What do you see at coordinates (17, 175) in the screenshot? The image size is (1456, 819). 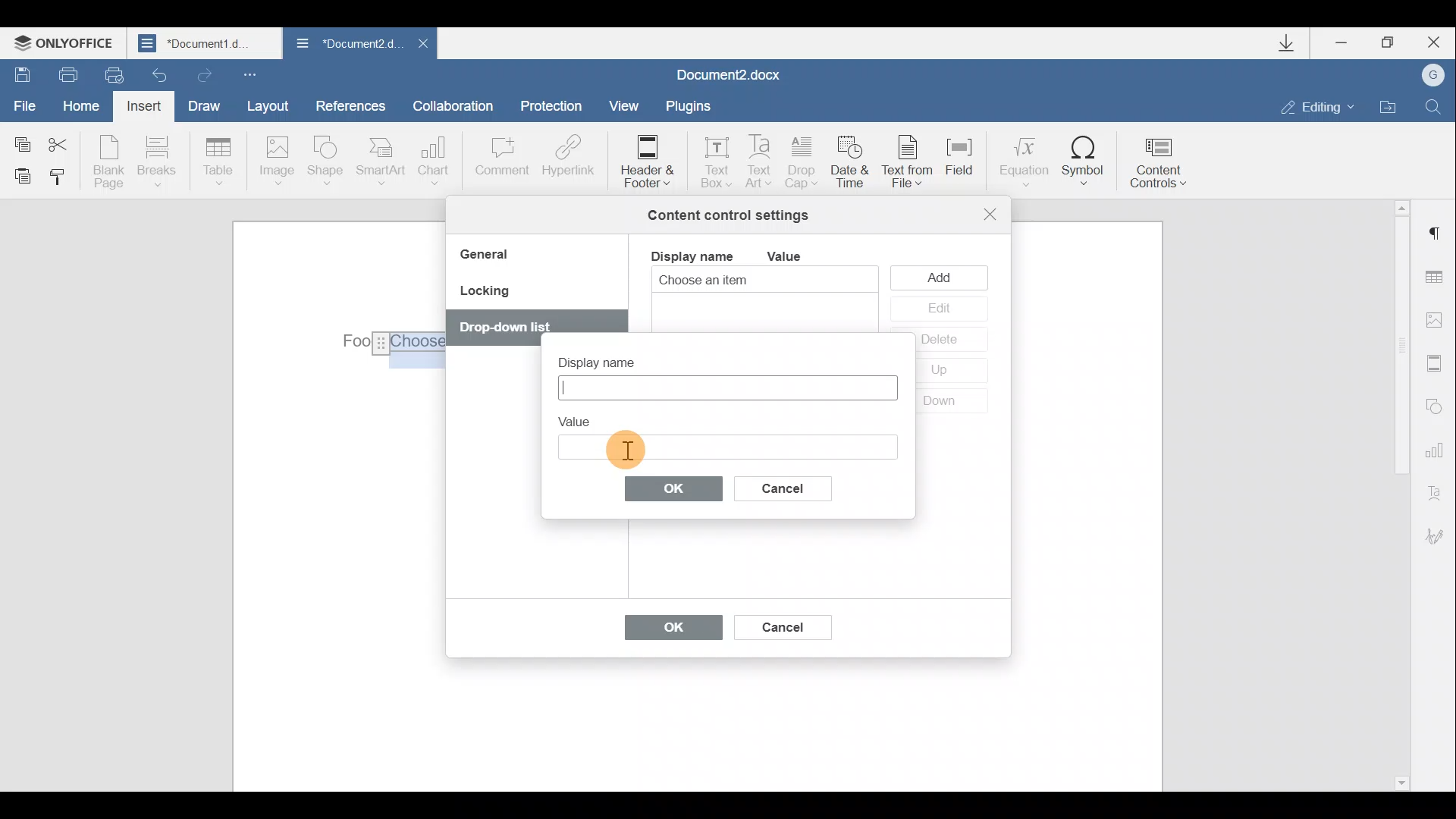 I see `Paste` at bounding box center [17, 175].